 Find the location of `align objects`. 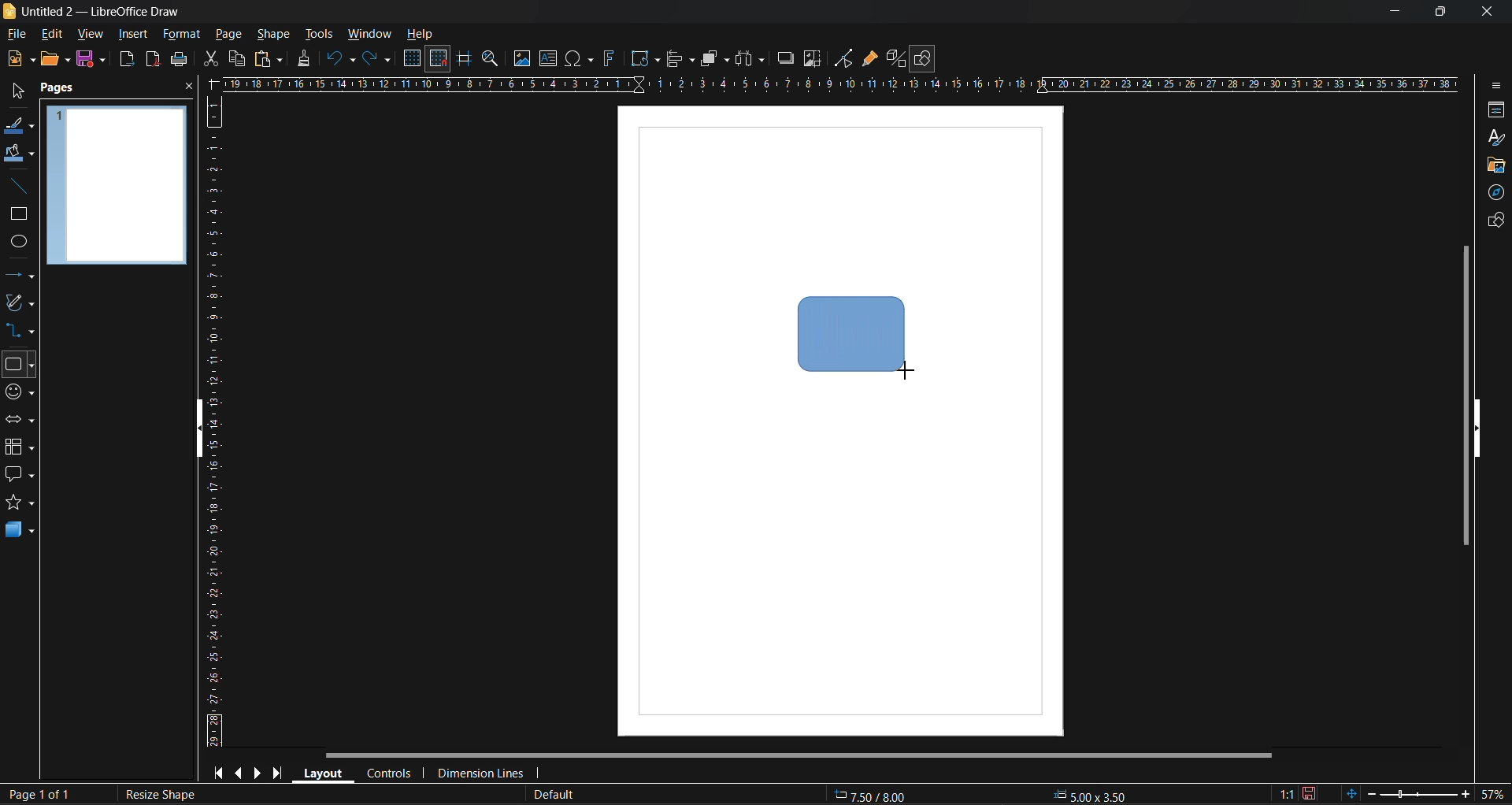

align objects is located at coordinates (682, 61).